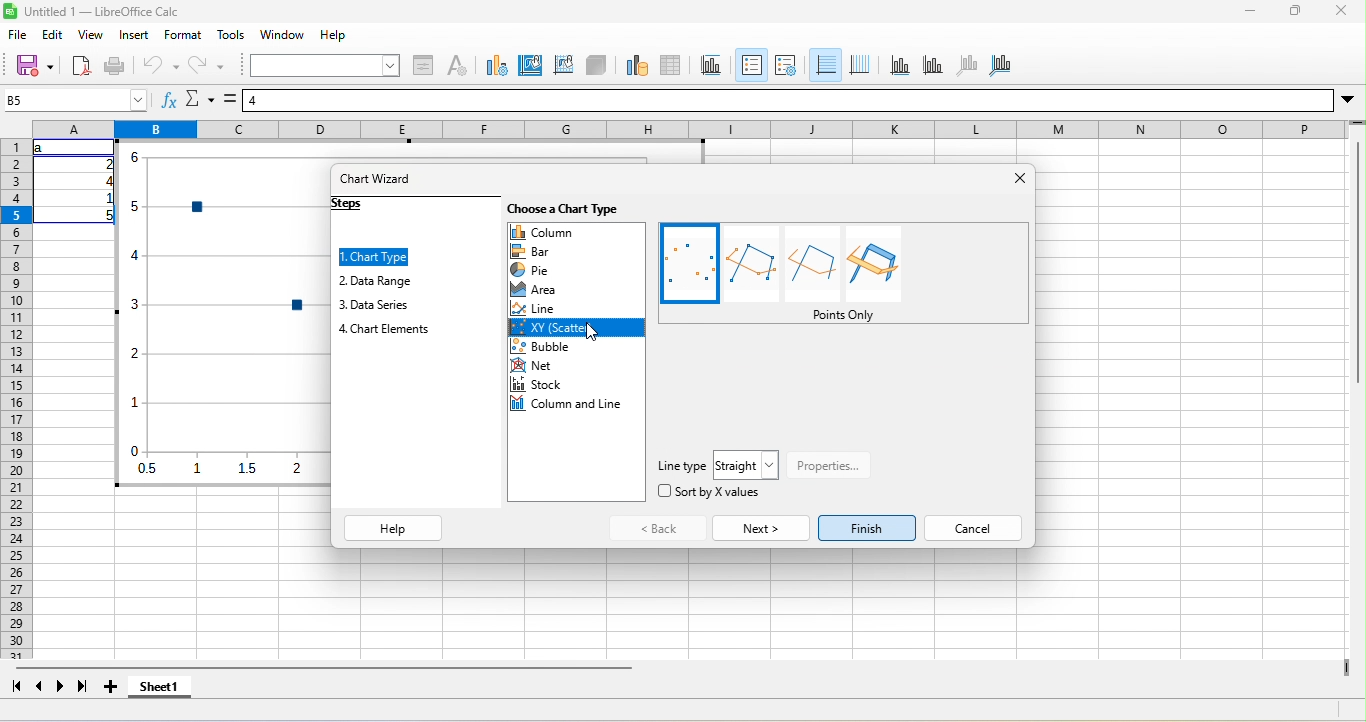 This screenshot has width=1366, height=722. Describe the element at coordinates (134, 35) in the screenshot. I see `insert` at that location.